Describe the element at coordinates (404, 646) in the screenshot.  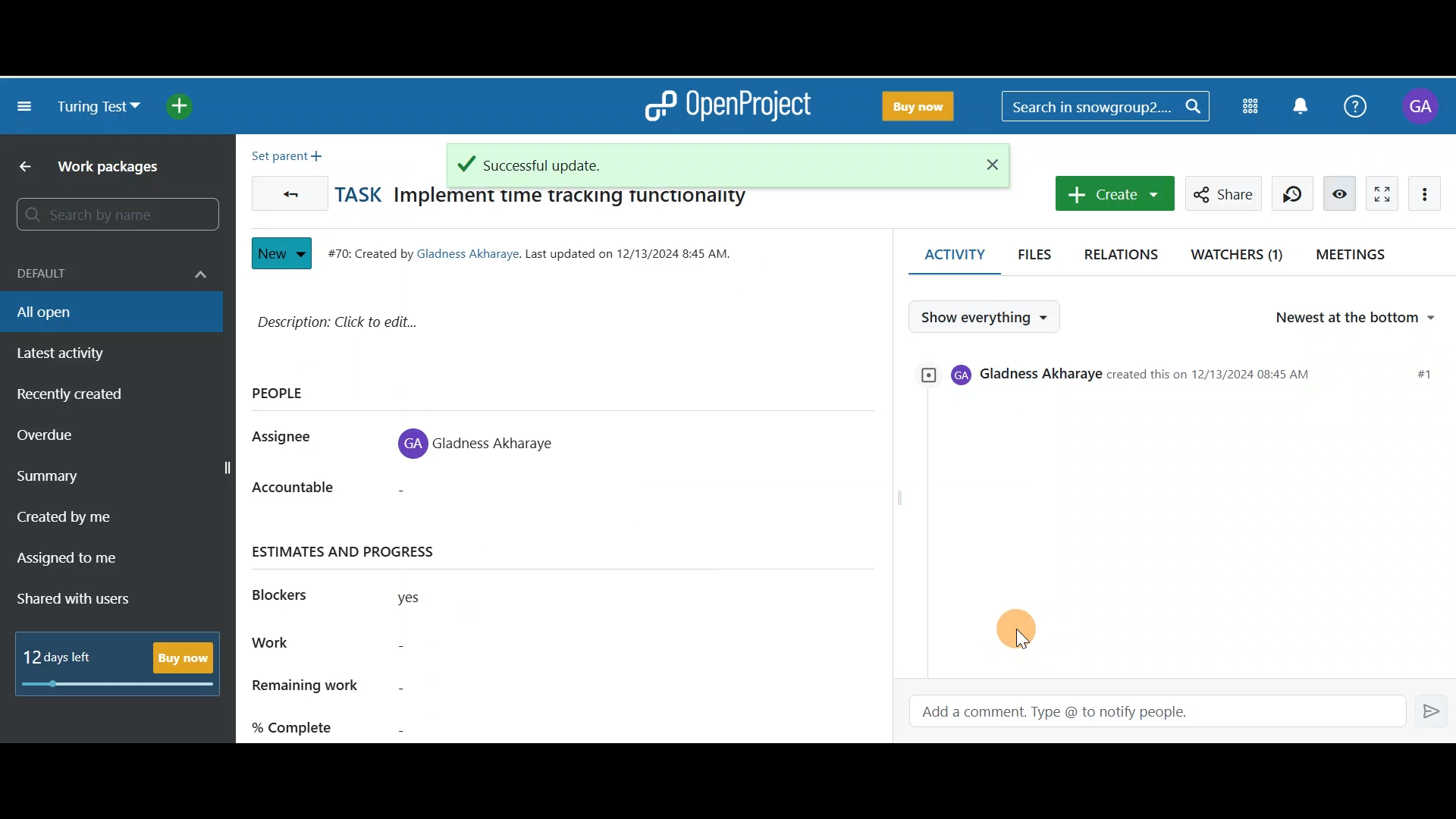
I see `Work` at that location.